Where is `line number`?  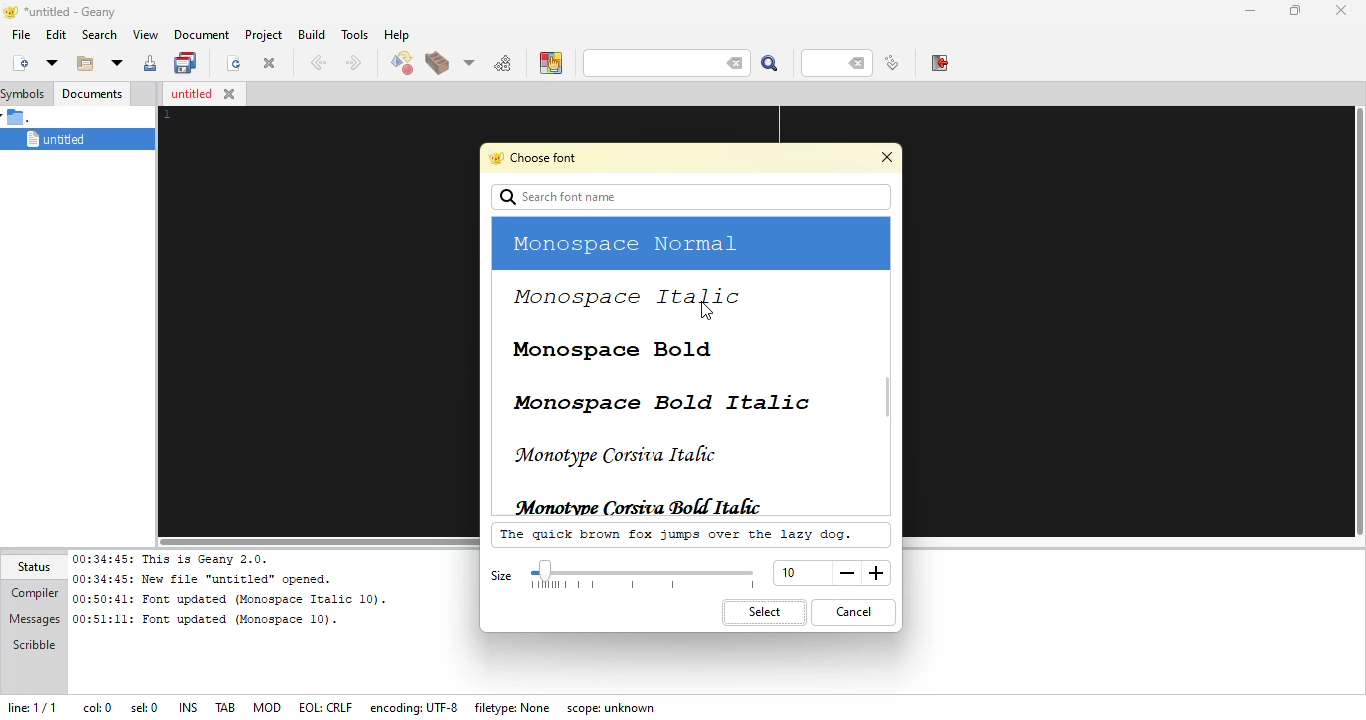 line number is located at coordinates (162, 116).